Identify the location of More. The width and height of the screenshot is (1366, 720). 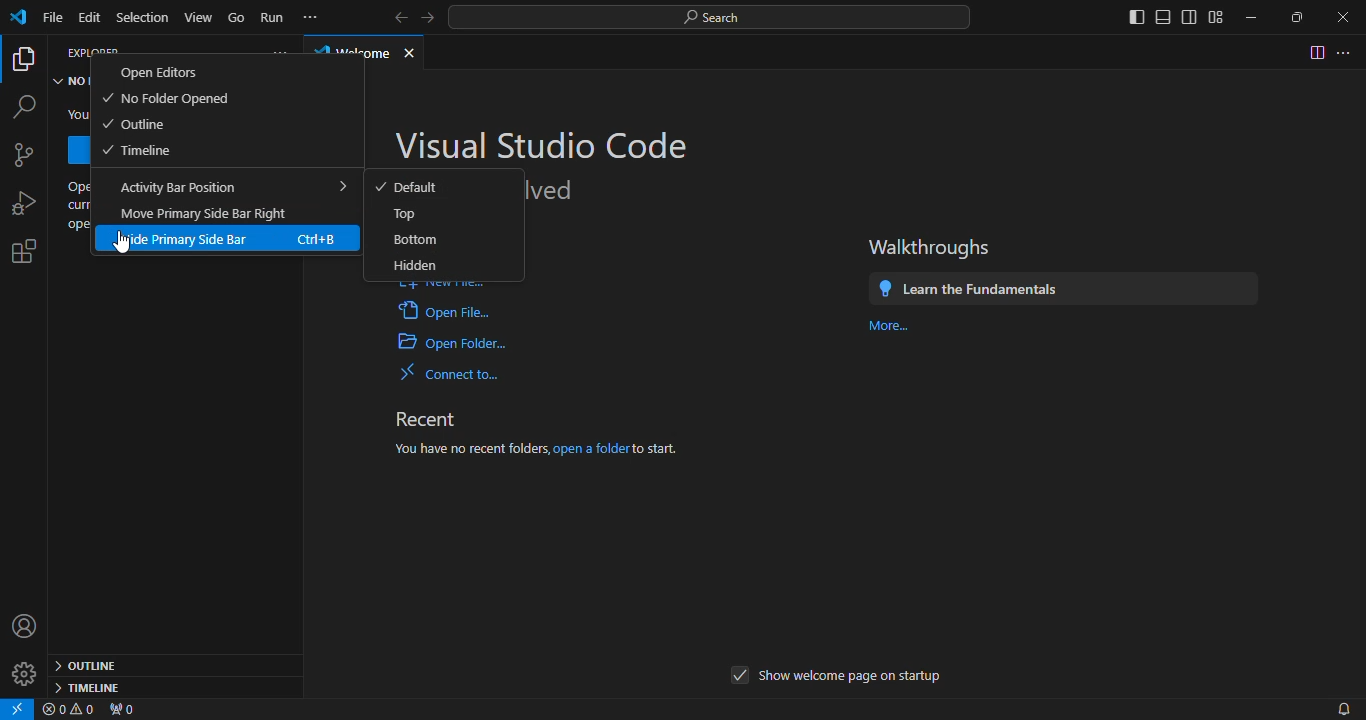
(887, 325).